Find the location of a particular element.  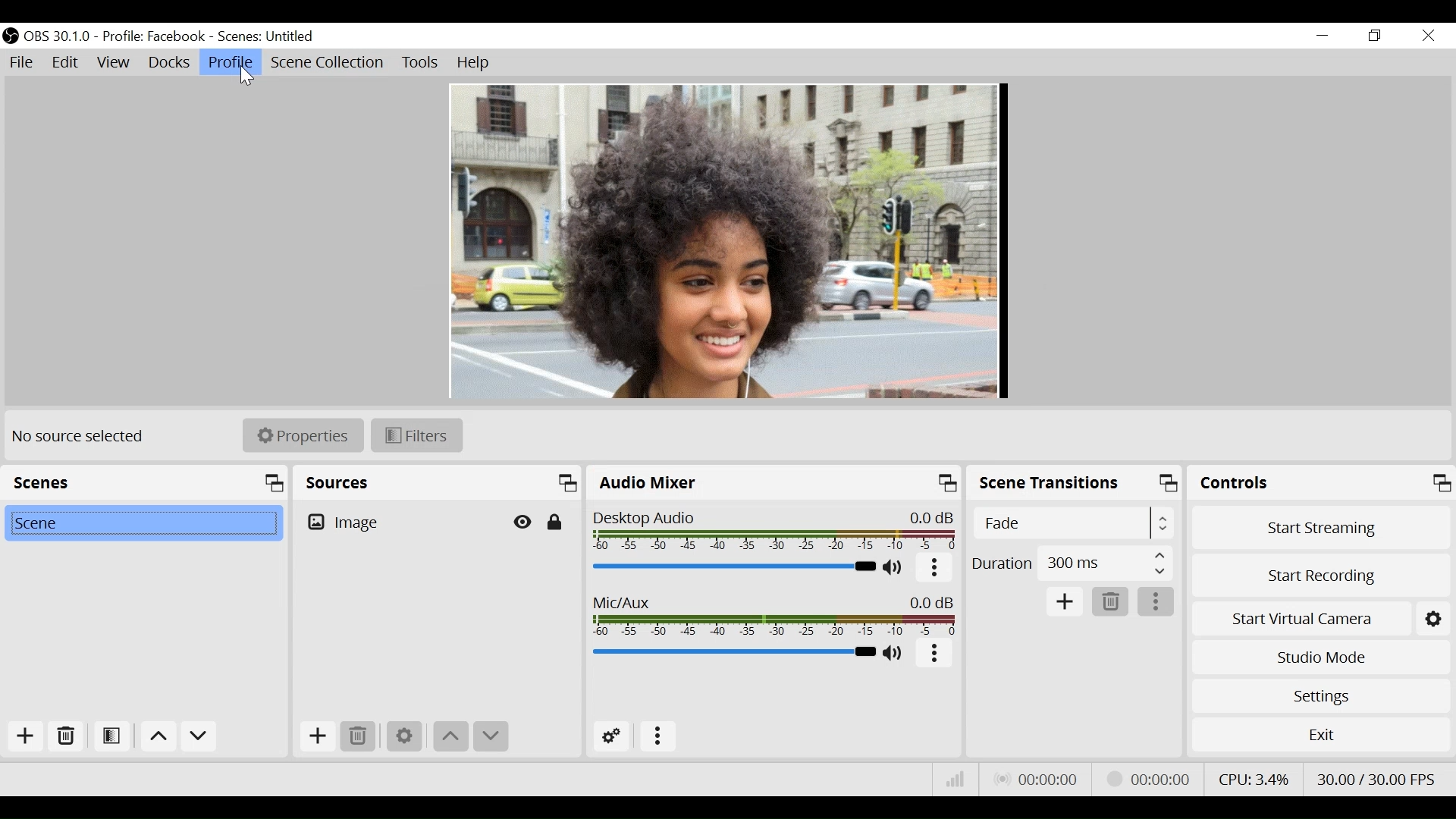

Profile Name is located at coordinates (153, 37).